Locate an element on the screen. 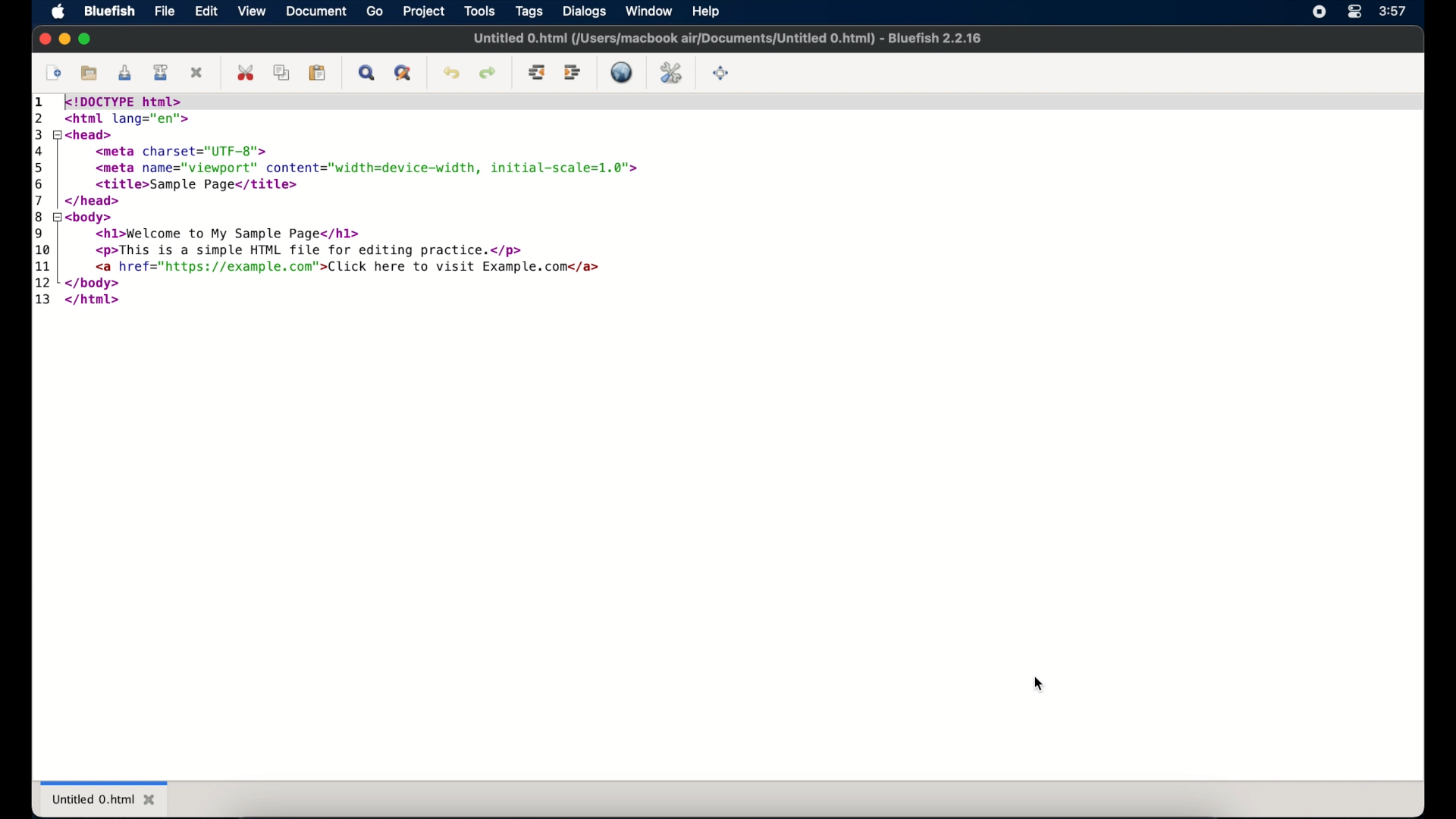  save file as is located at coordinates (163, 73).